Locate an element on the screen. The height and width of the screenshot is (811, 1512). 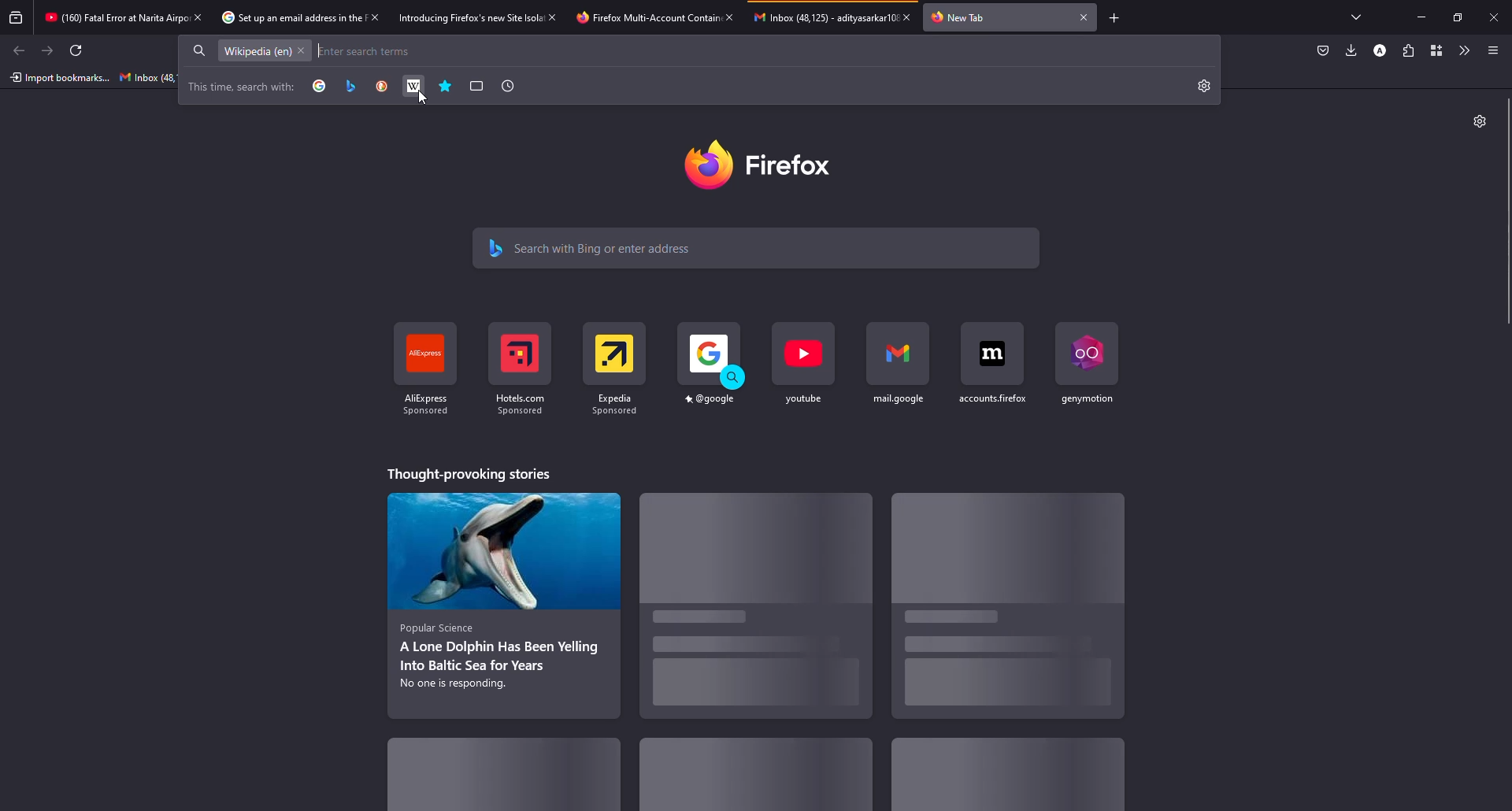
tabs is located at coordinates (477, 86).